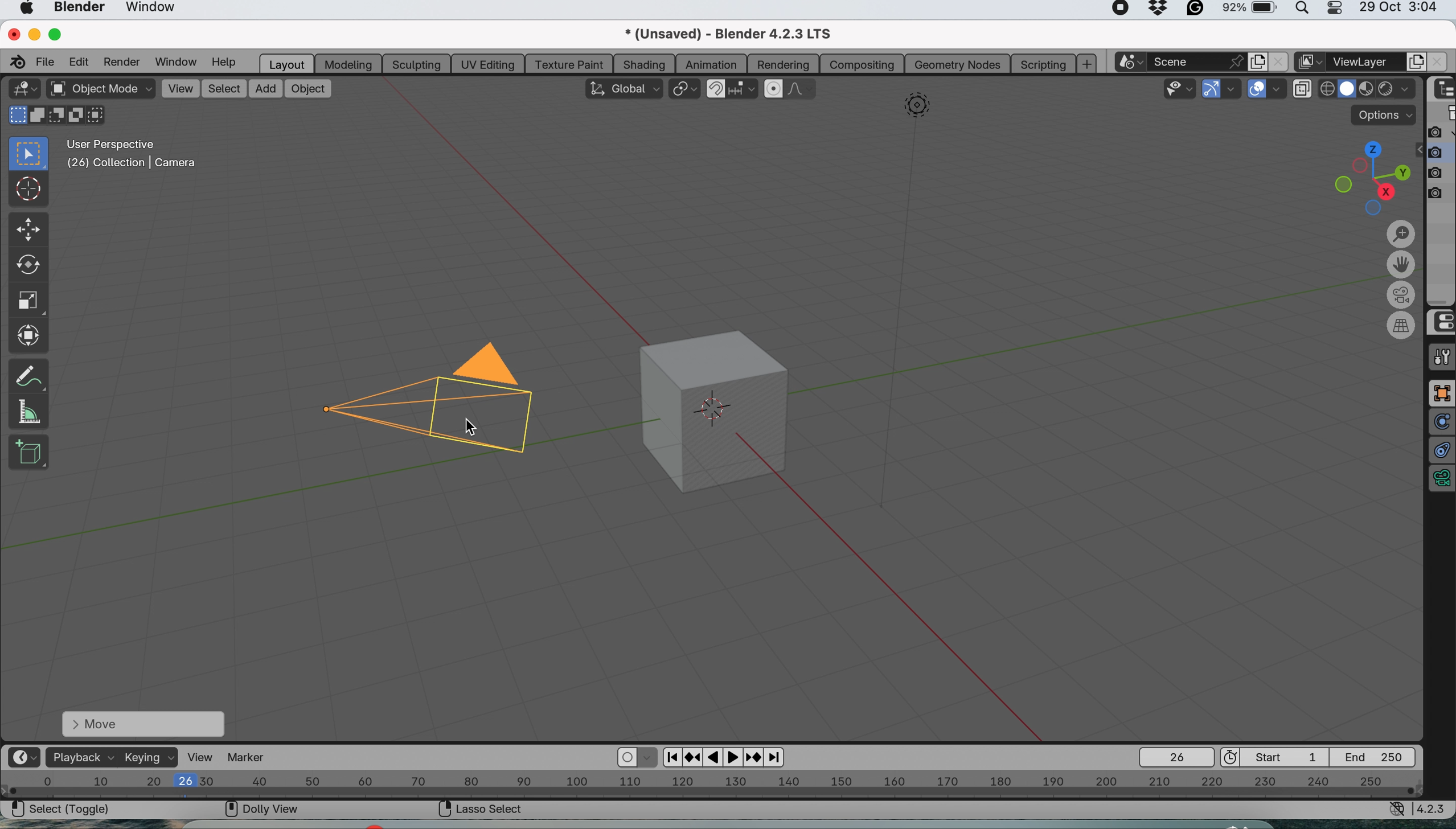 The height and width of the screenshot is (829, 1456). I want to click on editor type, so click(23, 757).